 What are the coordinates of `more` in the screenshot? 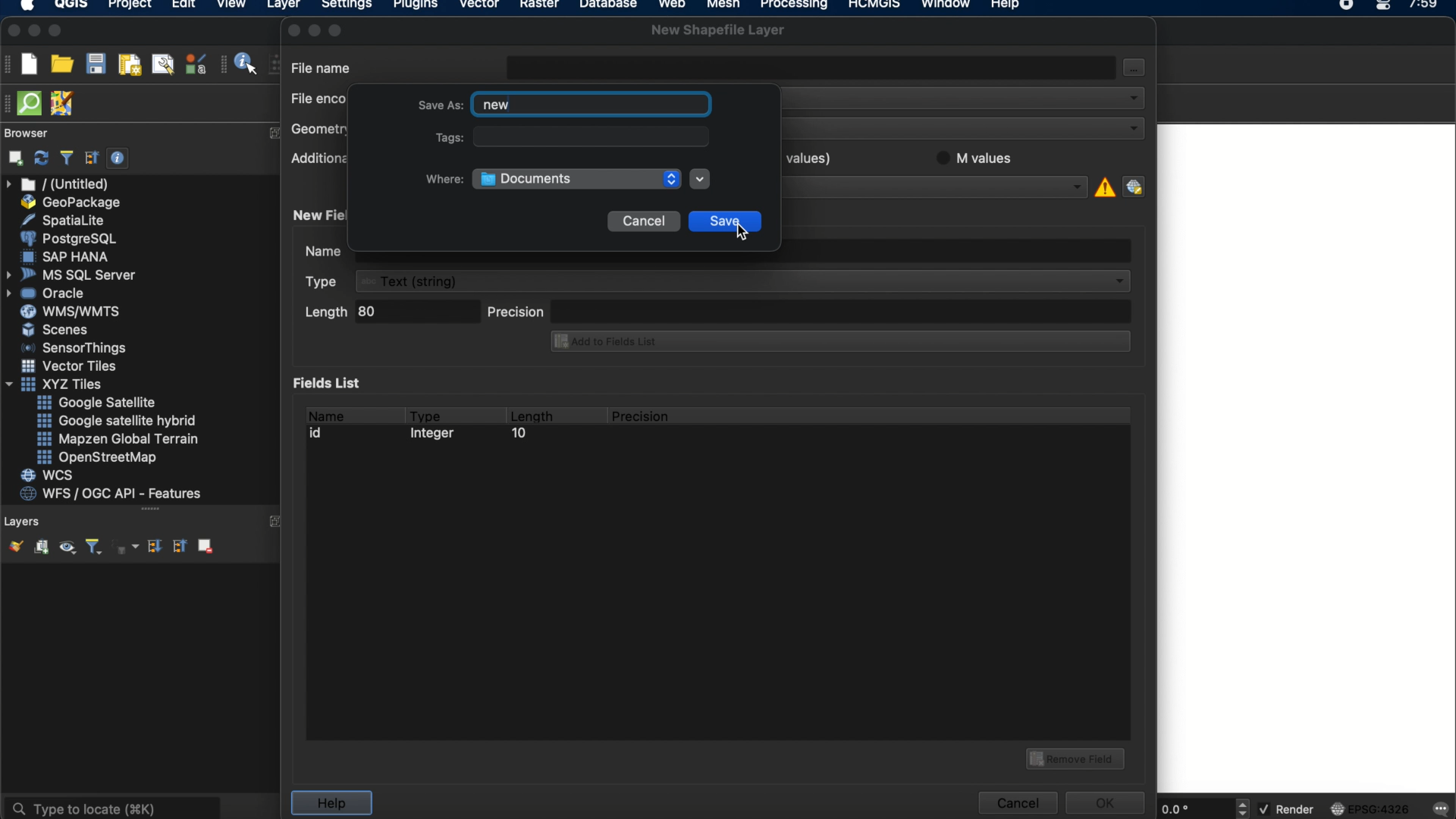 It's located at (151, 511).